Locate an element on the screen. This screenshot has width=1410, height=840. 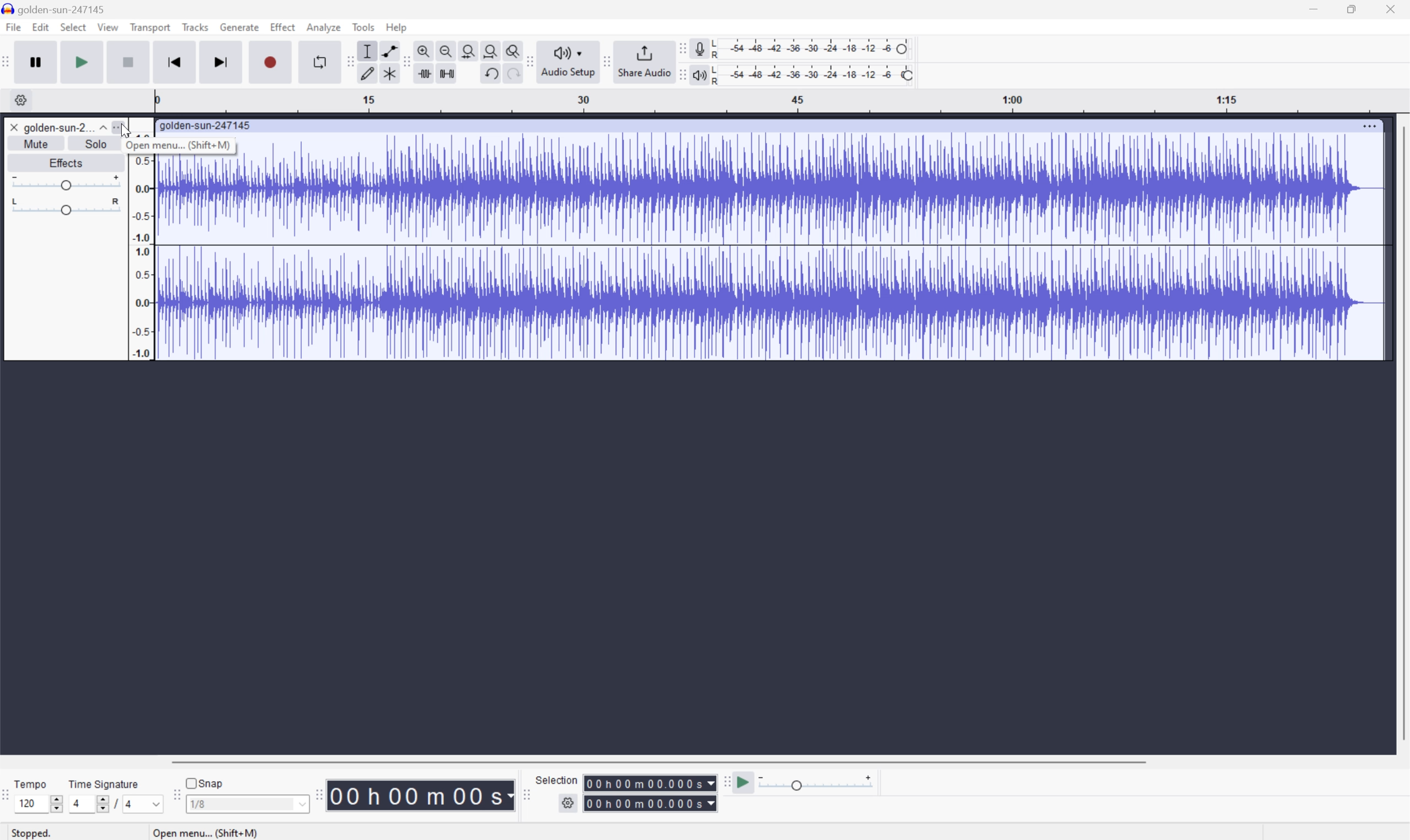
Undo is located at coordinates (494, 74).